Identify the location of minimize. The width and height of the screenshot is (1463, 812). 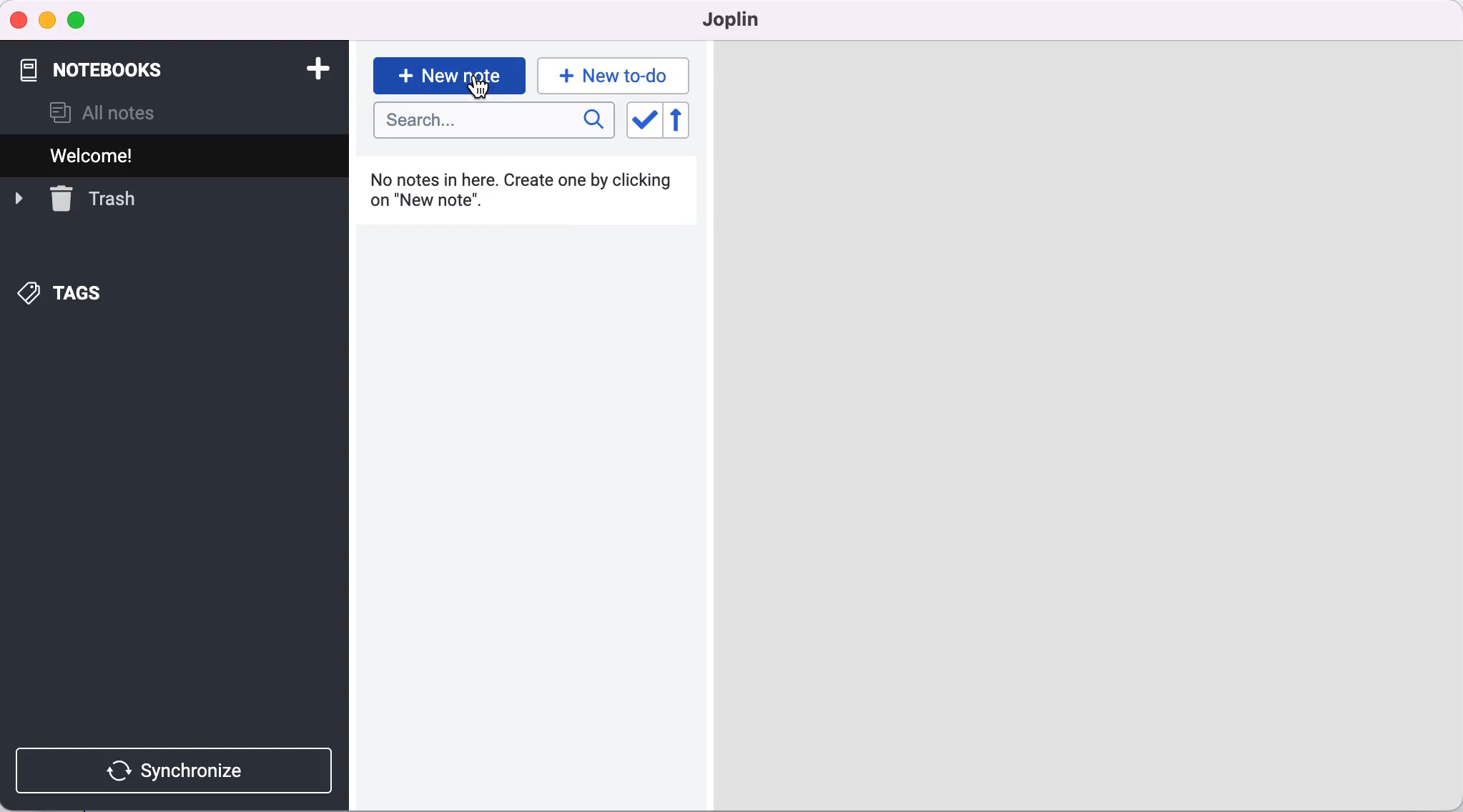
(46, 21).